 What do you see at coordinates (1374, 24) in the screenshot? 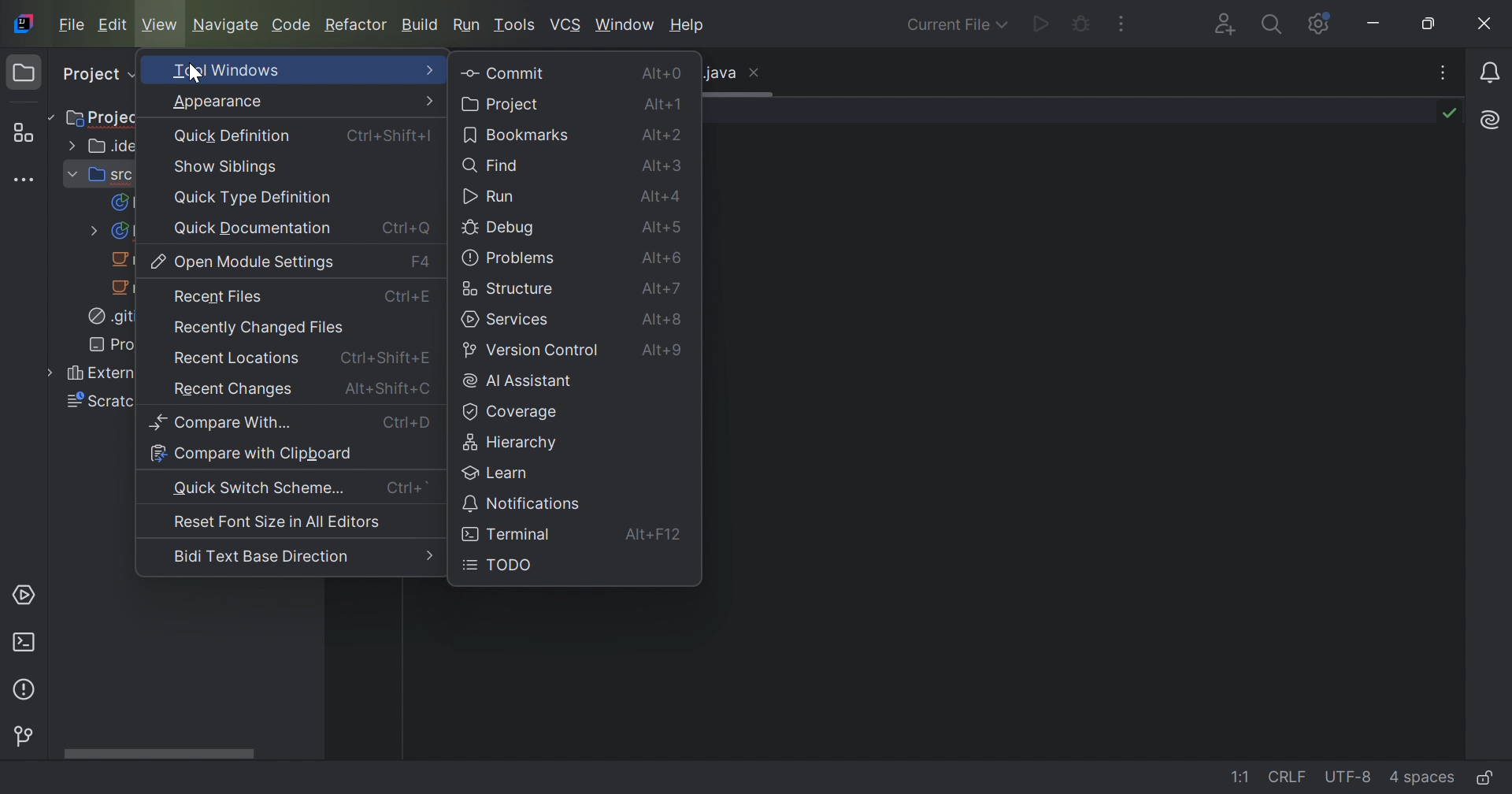
I see `Minimize` at bounding box center [1374, 24].